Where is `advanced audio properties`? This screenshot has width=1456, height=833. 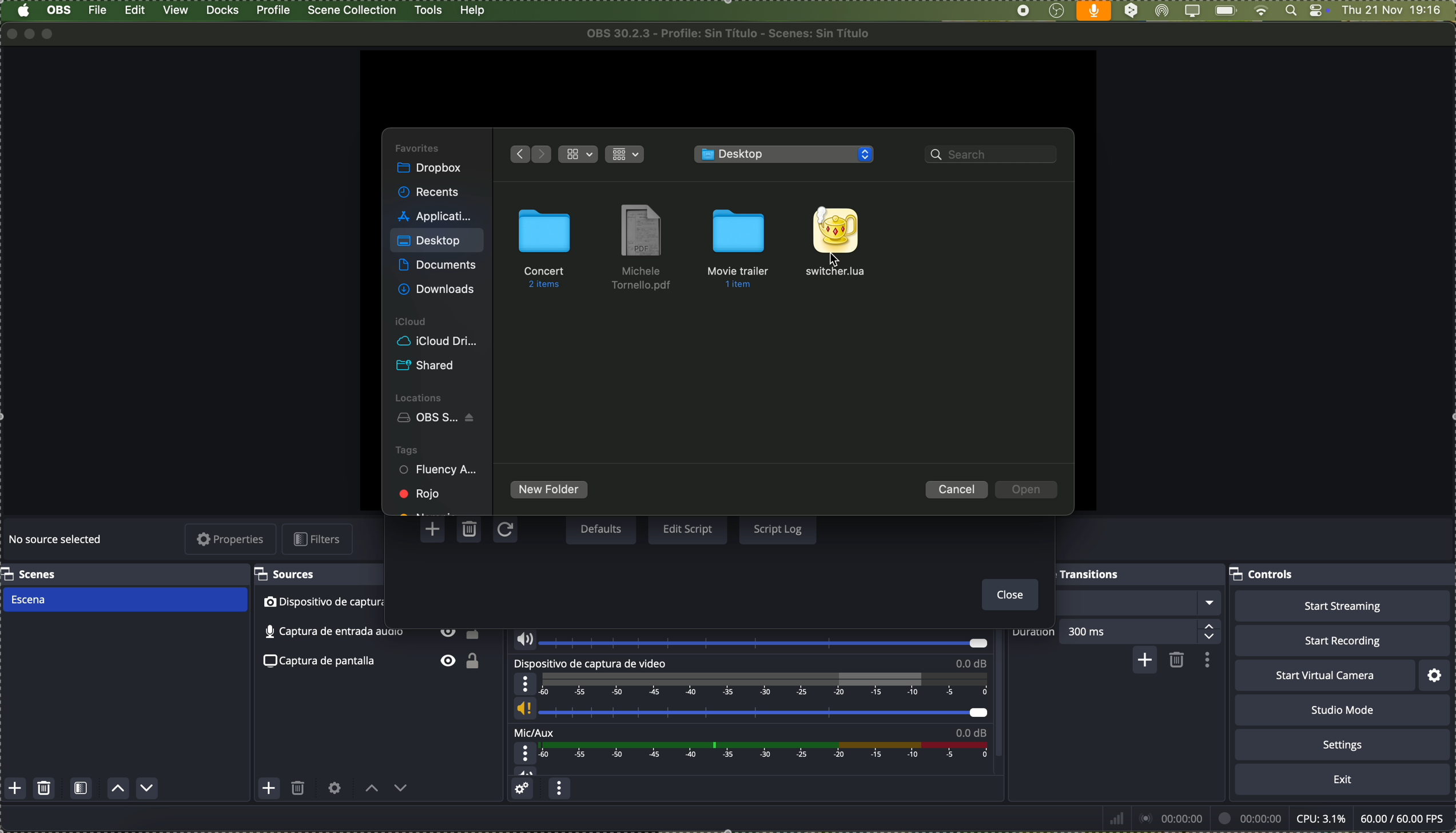 advanced audio properties is located at coordinates (524, 790).